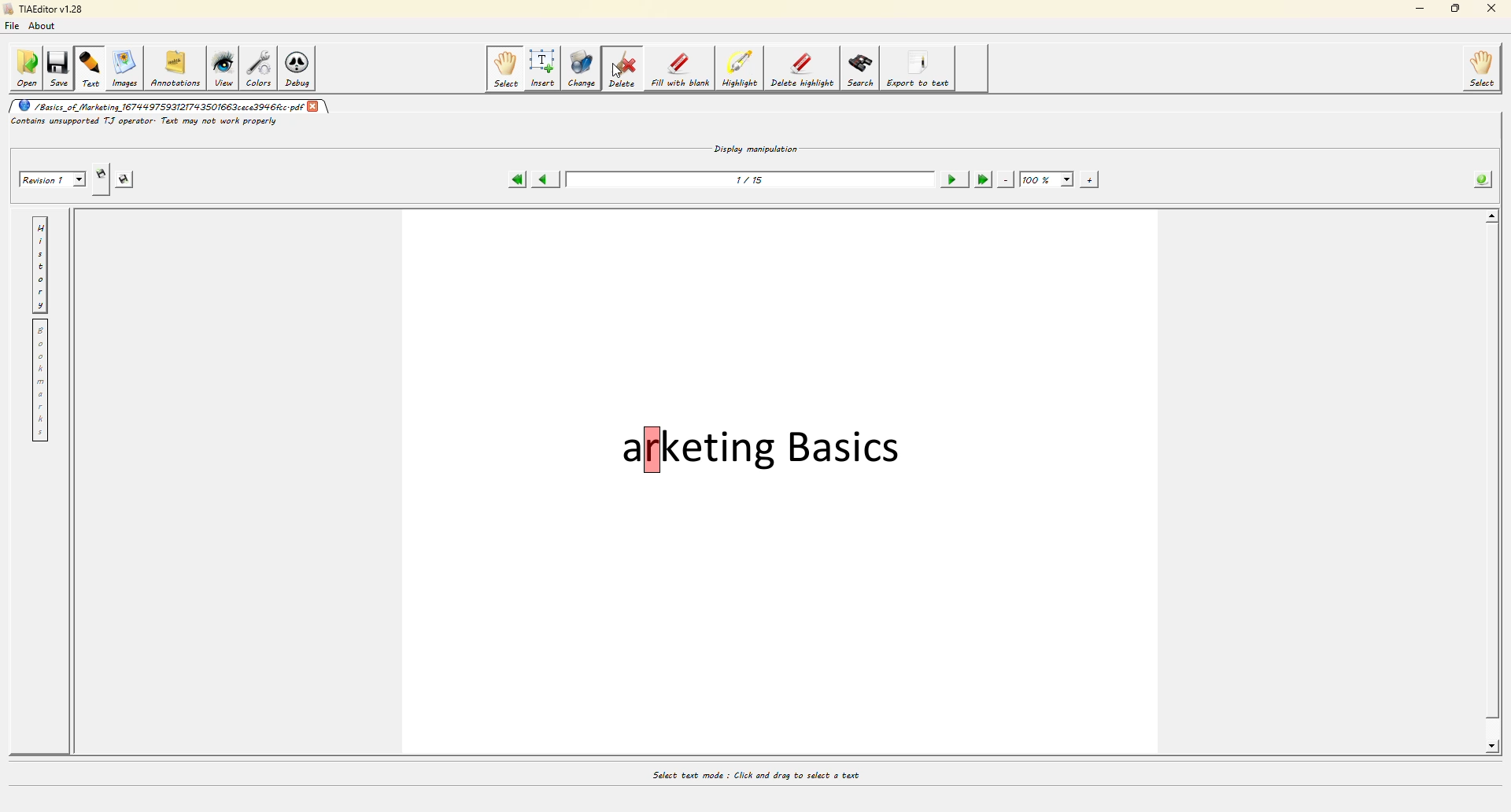 Image resolution: width=1511 pixels, height=812 pixels. I want to click on insert, so click(544, 68).